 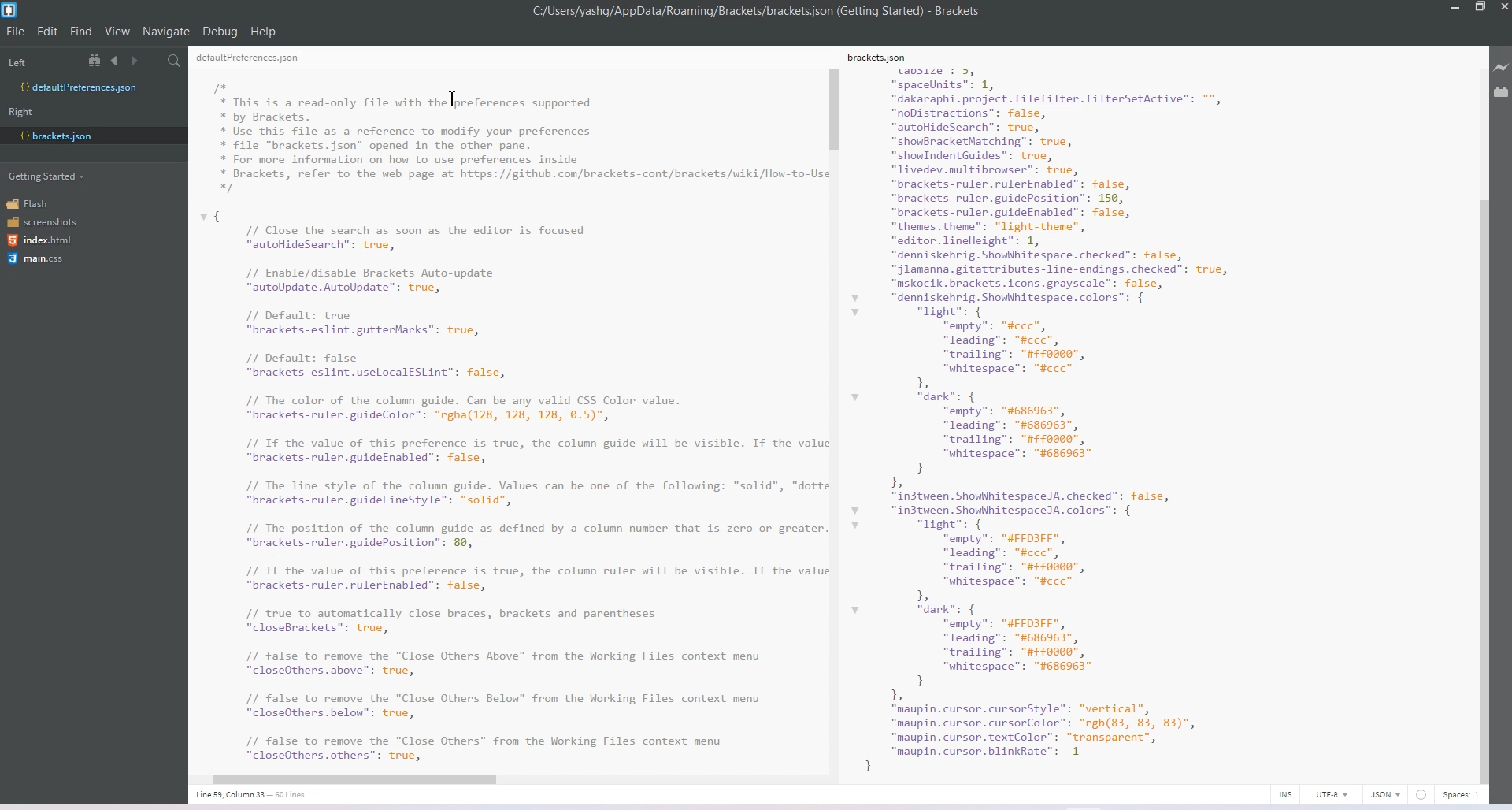 What do you see at coordinates (16, 31) in the screenshot?
I see `File` at bounding box center [16, 31].